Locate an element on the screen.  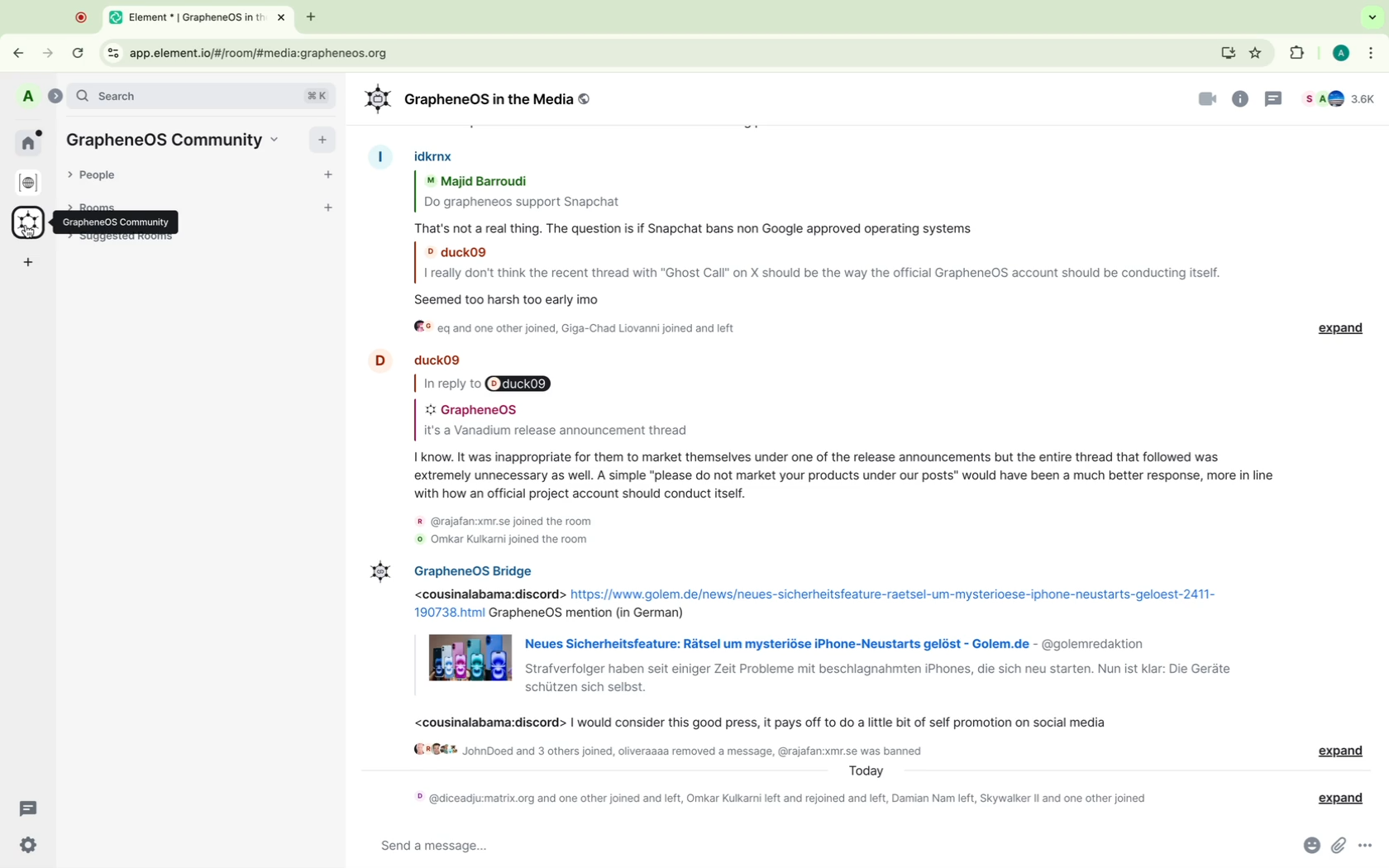
add tab is located at coordinates (312, 17).